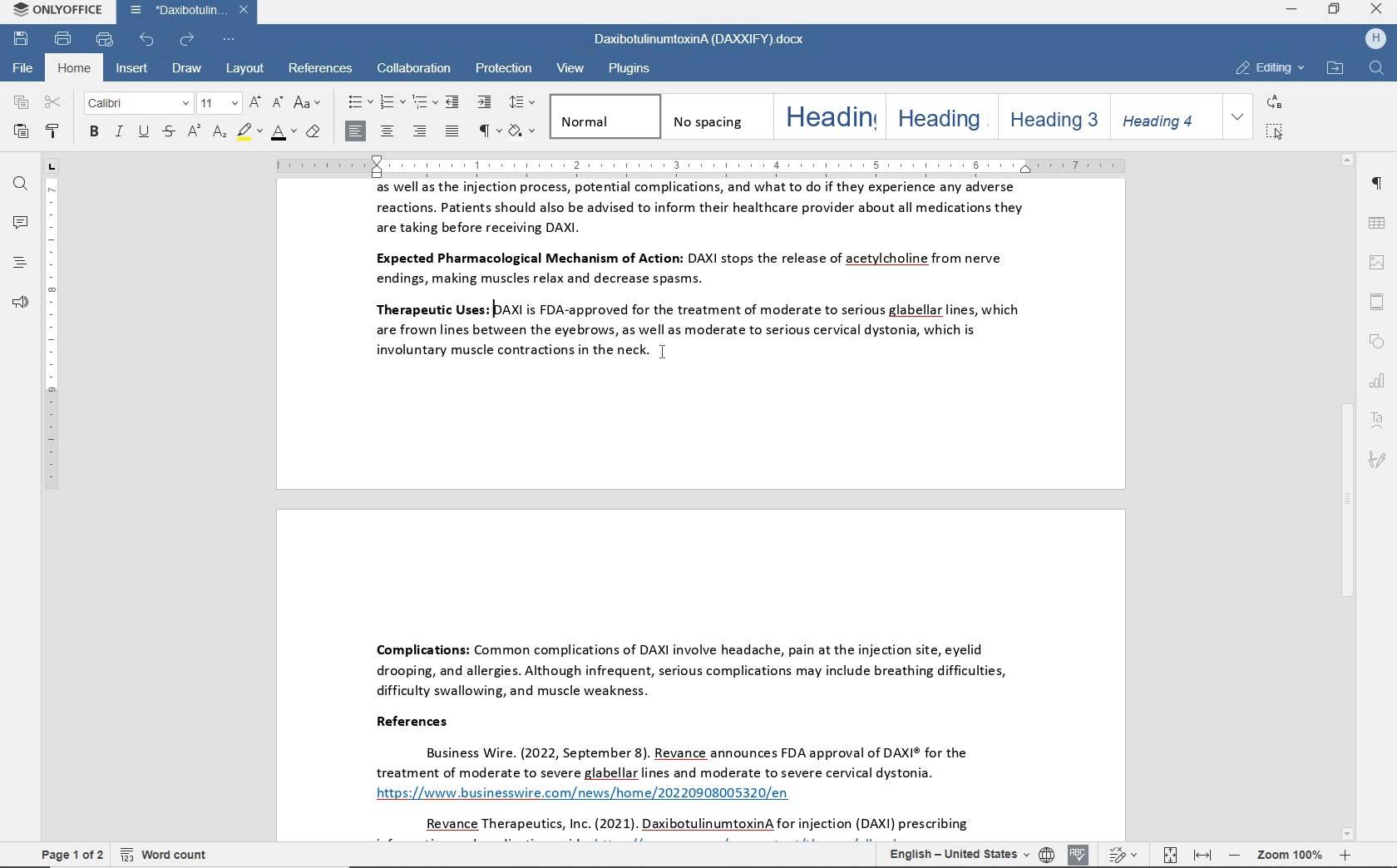 Image resolution: width=1397 pixels, height=868 pixels. I want to click on increment font size, so click(253, 102).